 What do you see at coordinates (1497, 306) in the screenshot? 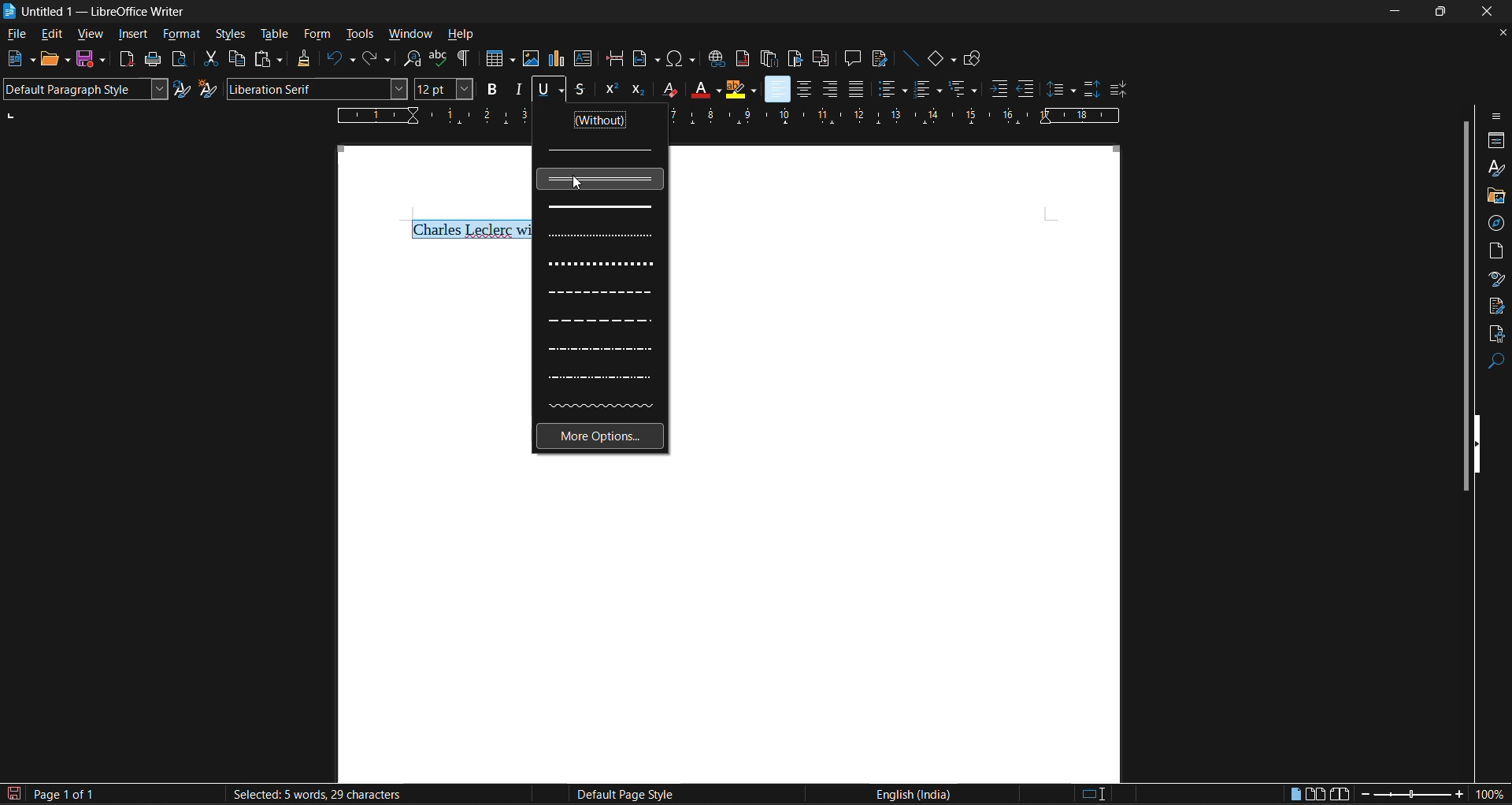
I see `manage changes` at bounding box center [1497, 306].